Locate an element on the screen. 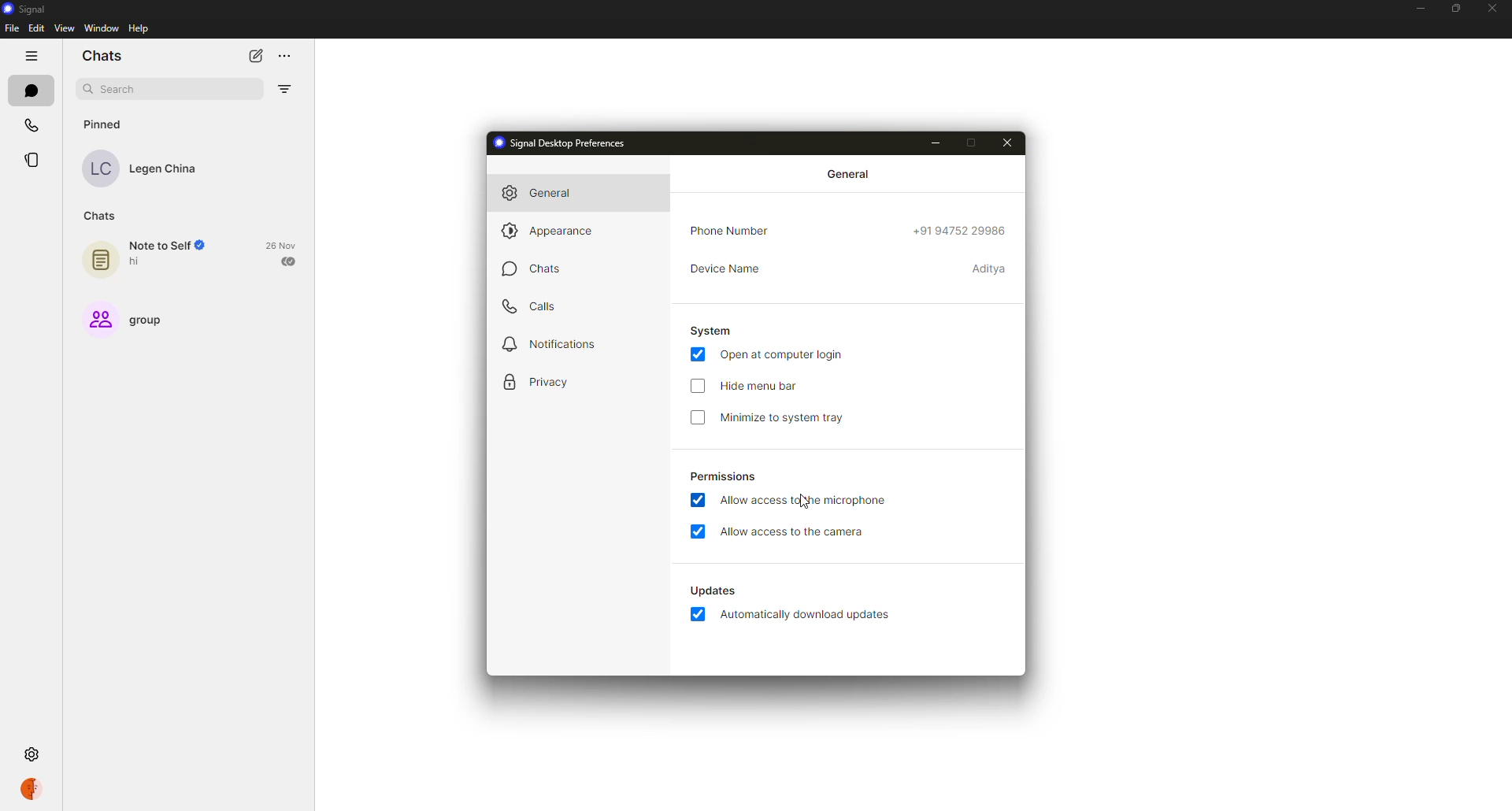 The image size is (1512, 811). group is located at coordinates (133, 319).